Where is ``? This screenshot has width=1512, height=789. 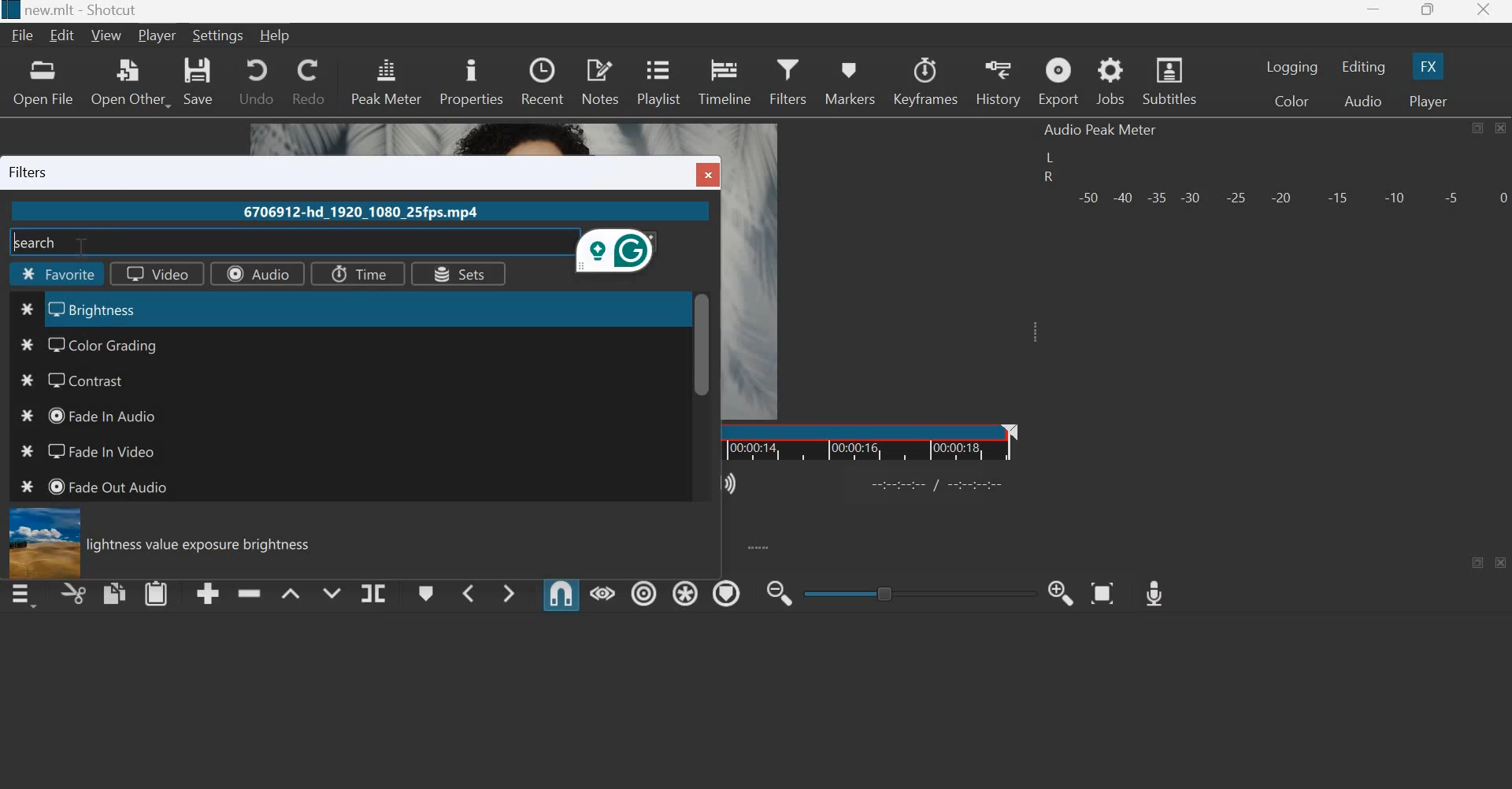  is located at coordinates (25, 382).